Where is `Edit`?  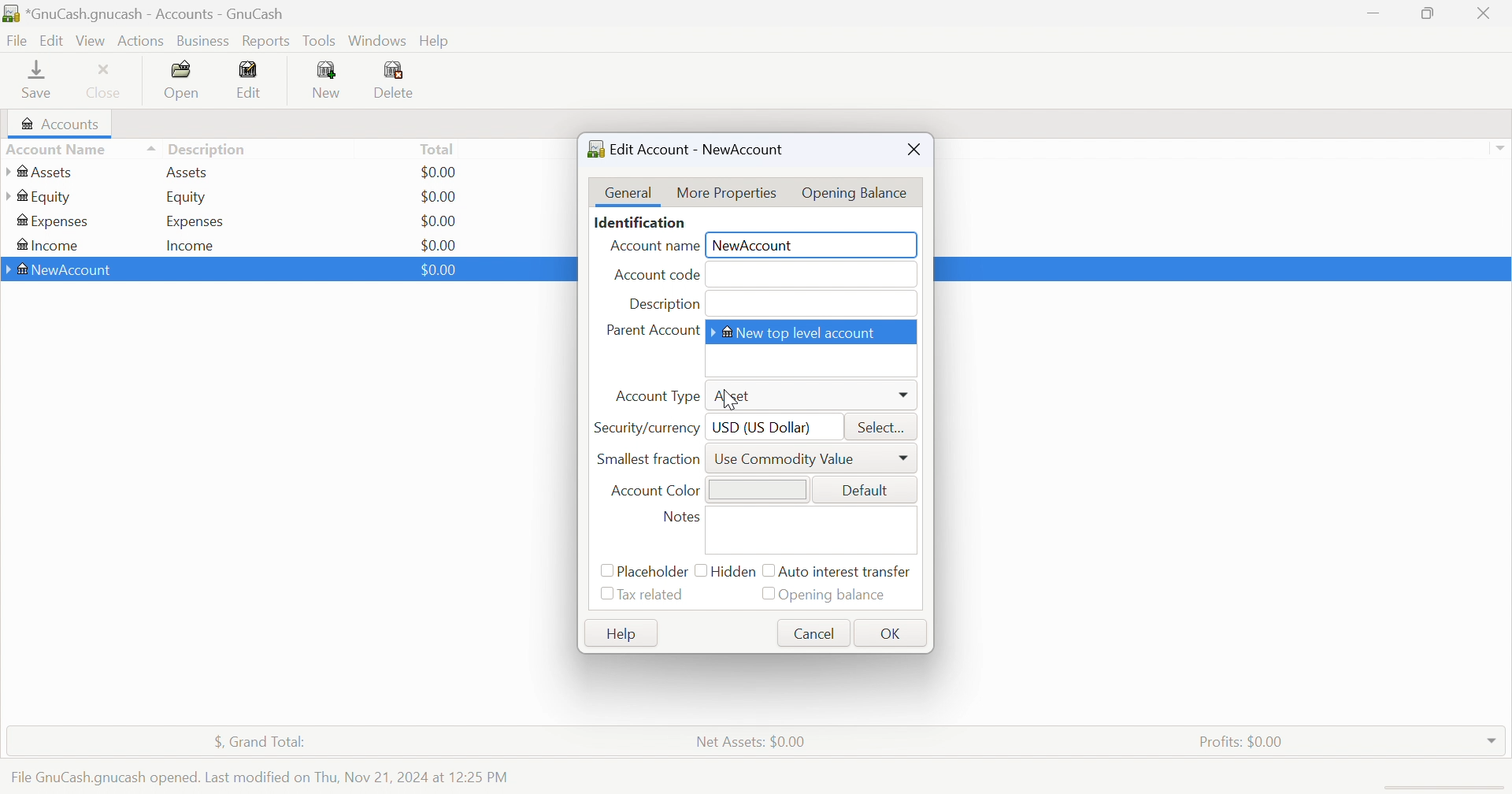
Edit is located at coordinates (54, 39).